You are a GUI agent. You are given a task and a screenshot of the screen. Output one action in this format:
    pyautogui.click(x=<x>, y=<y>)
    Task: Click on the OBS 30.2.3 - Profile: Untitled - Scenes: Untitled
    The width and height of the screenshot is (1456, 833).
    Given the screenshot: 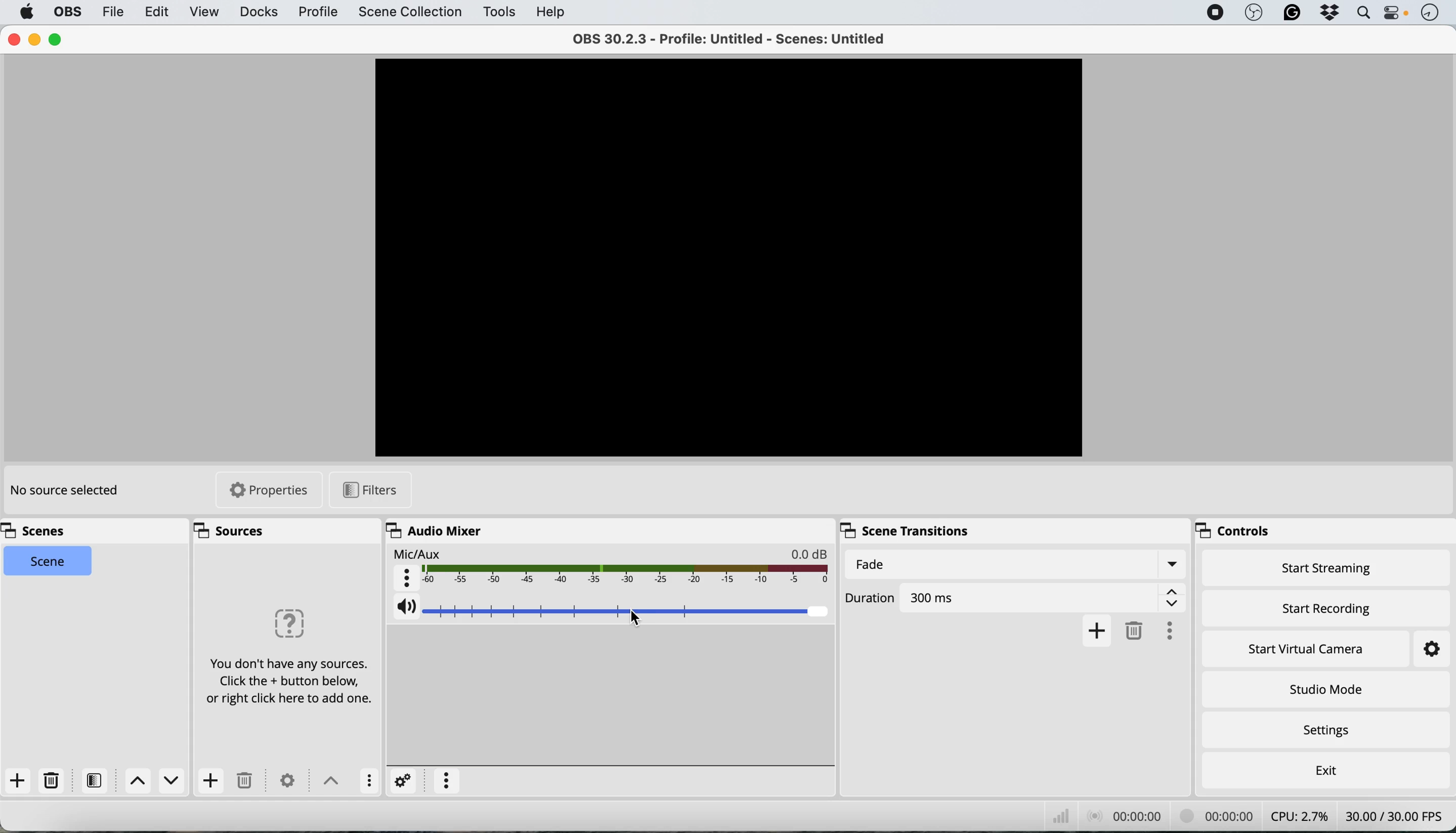 What is the action you would take?
    pyautogui.click(x=726, y=39)
    